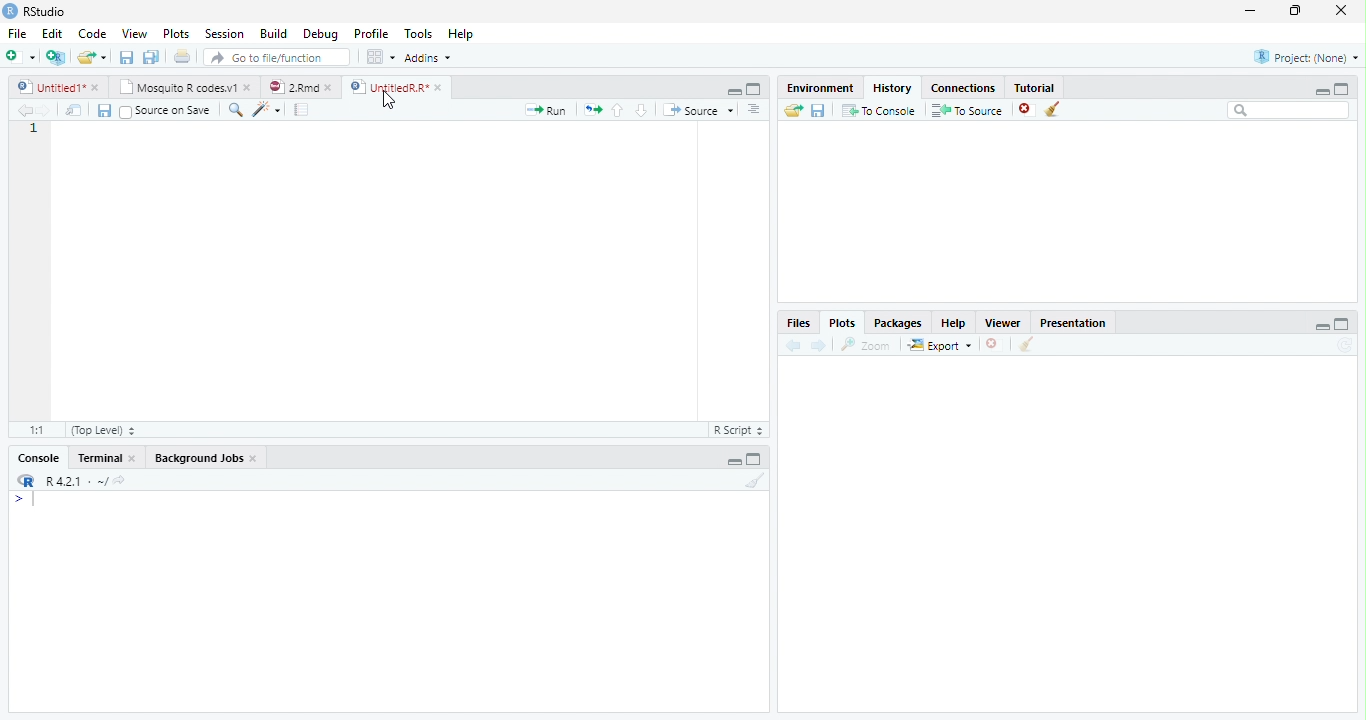 The image size is (1366, 720). Describe the element at coordinates (38, 456) in the screenshot. I see `Console` at that location.